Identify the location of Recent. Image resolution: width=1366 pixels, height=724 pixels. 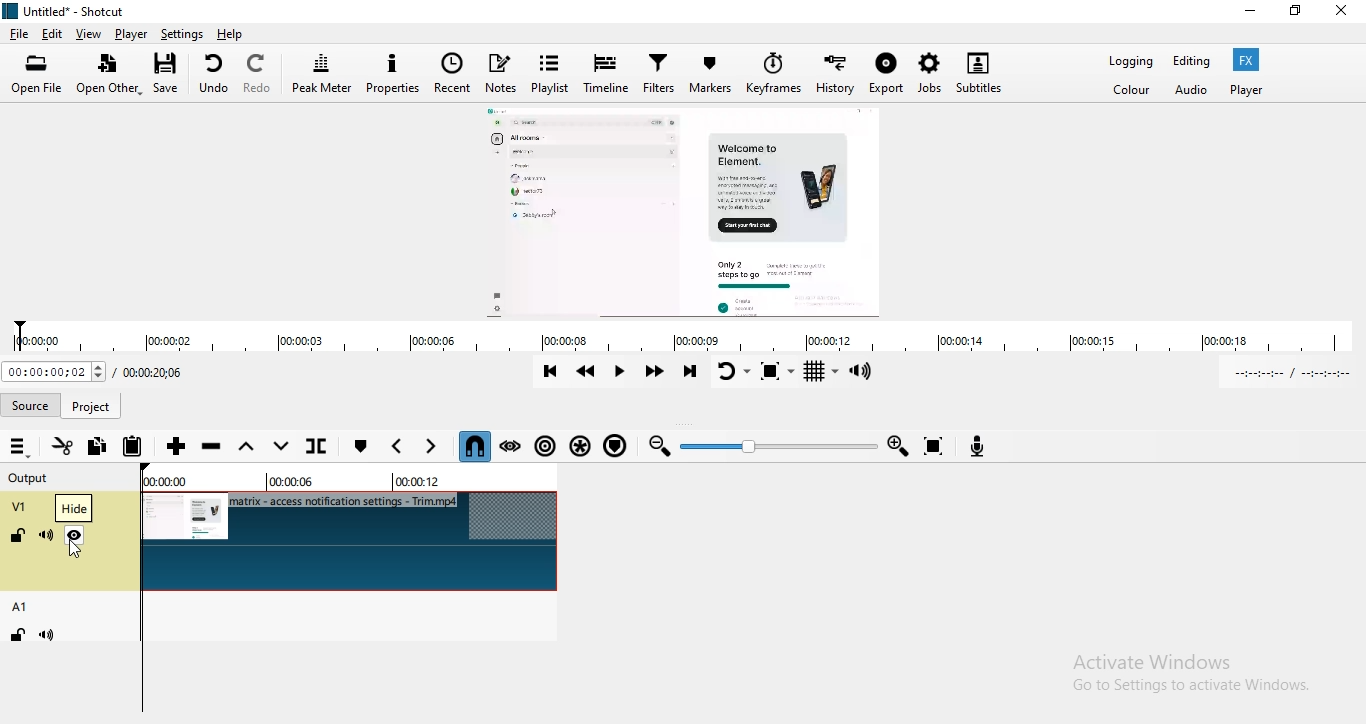
(453, 75).